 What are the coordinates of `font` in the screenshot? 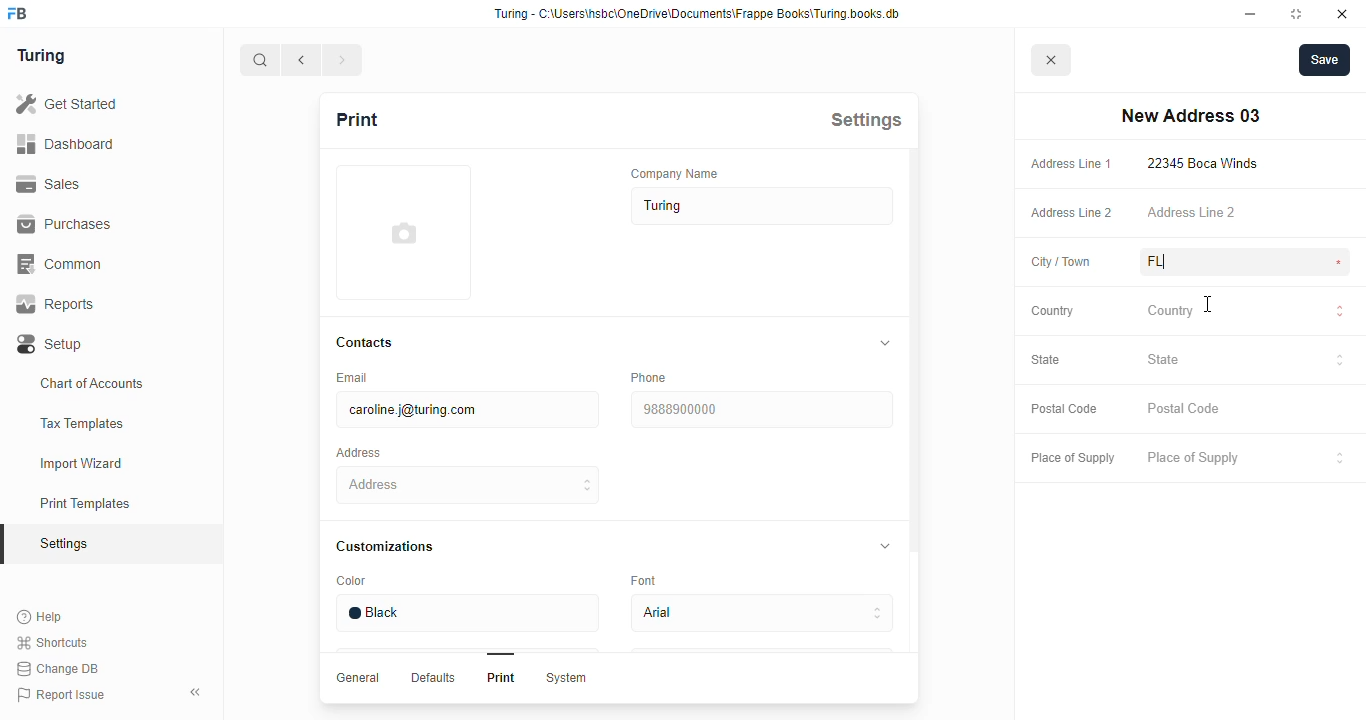 It's located at (647, 579).